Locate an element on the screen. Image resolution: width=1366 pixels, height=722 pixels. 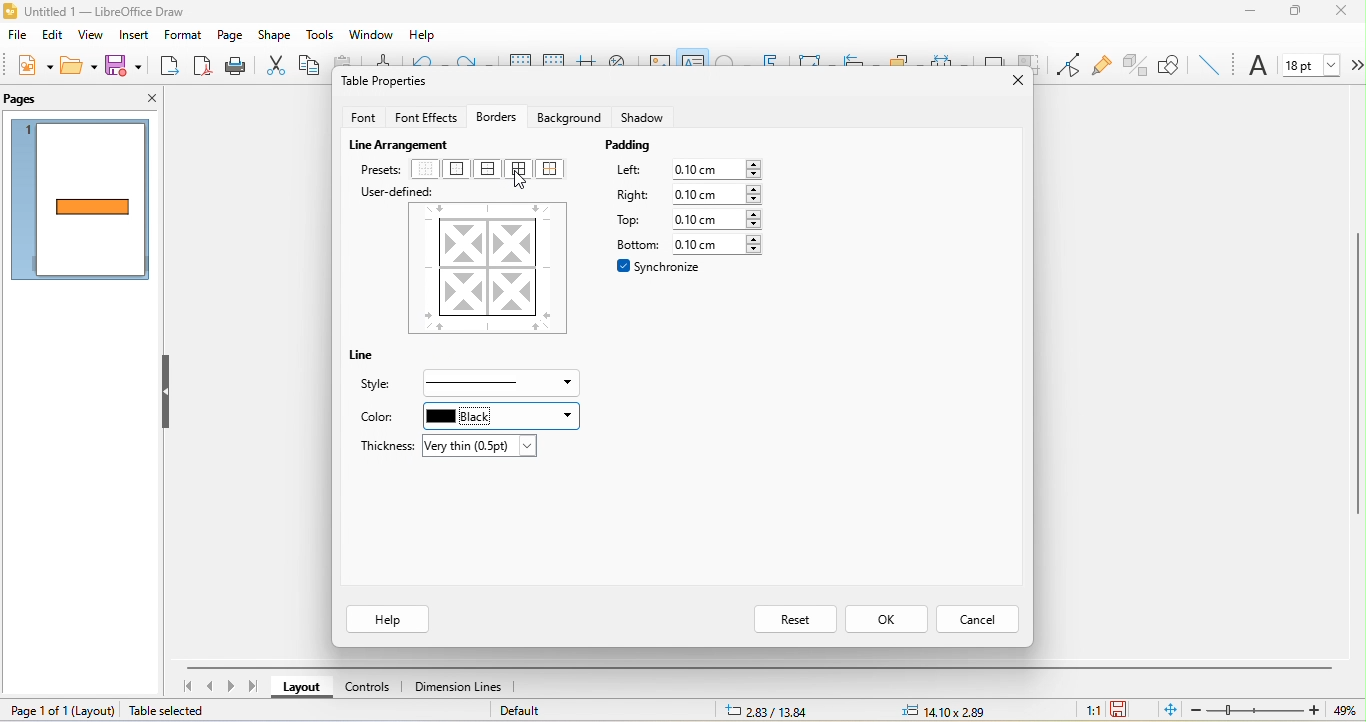
thickness is located at coordinates (382, 444).